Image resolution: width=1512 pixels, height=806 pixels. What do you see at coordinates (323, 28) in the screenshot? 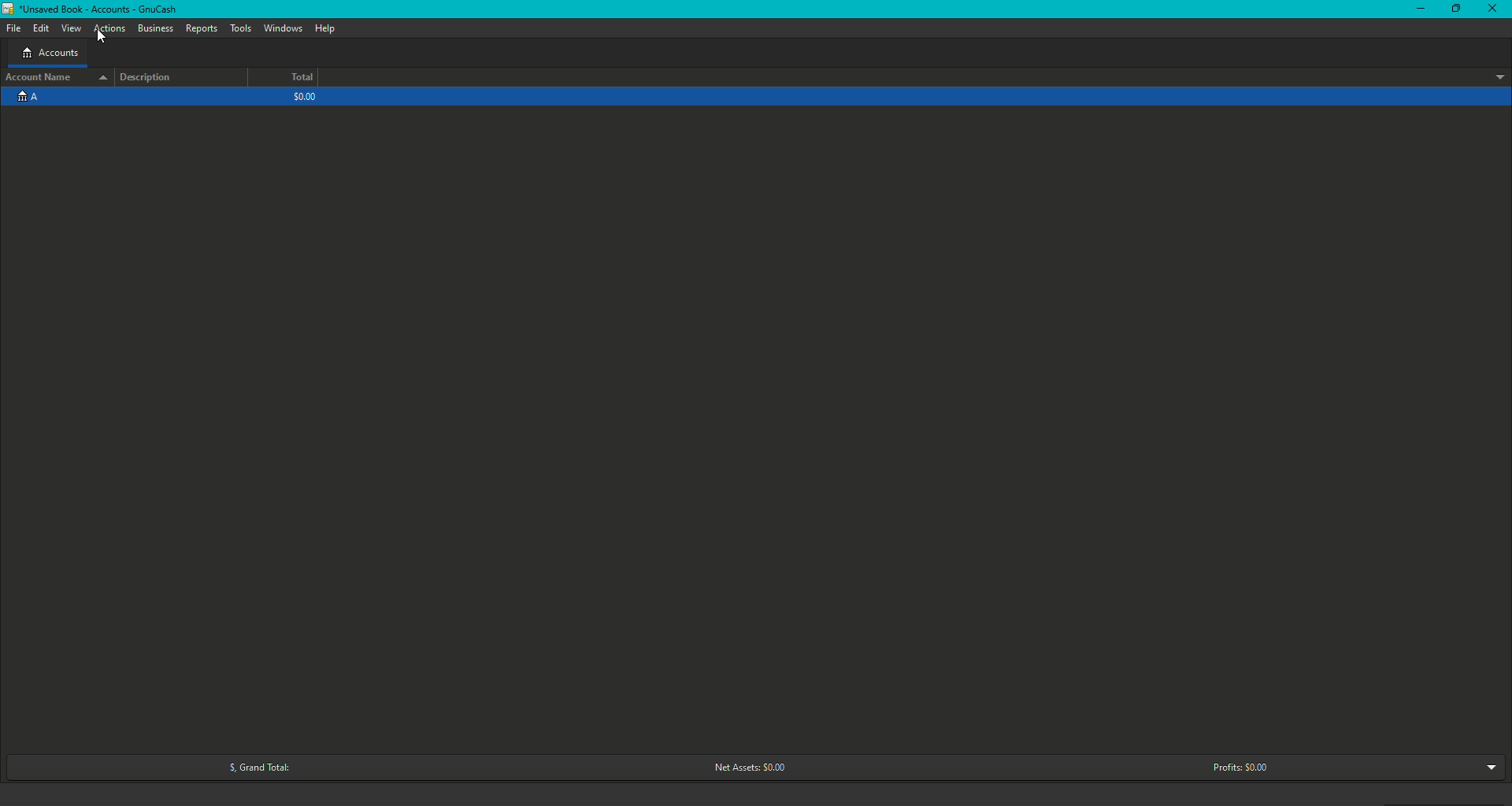
I see `Help` at bounding box center [323, 28].